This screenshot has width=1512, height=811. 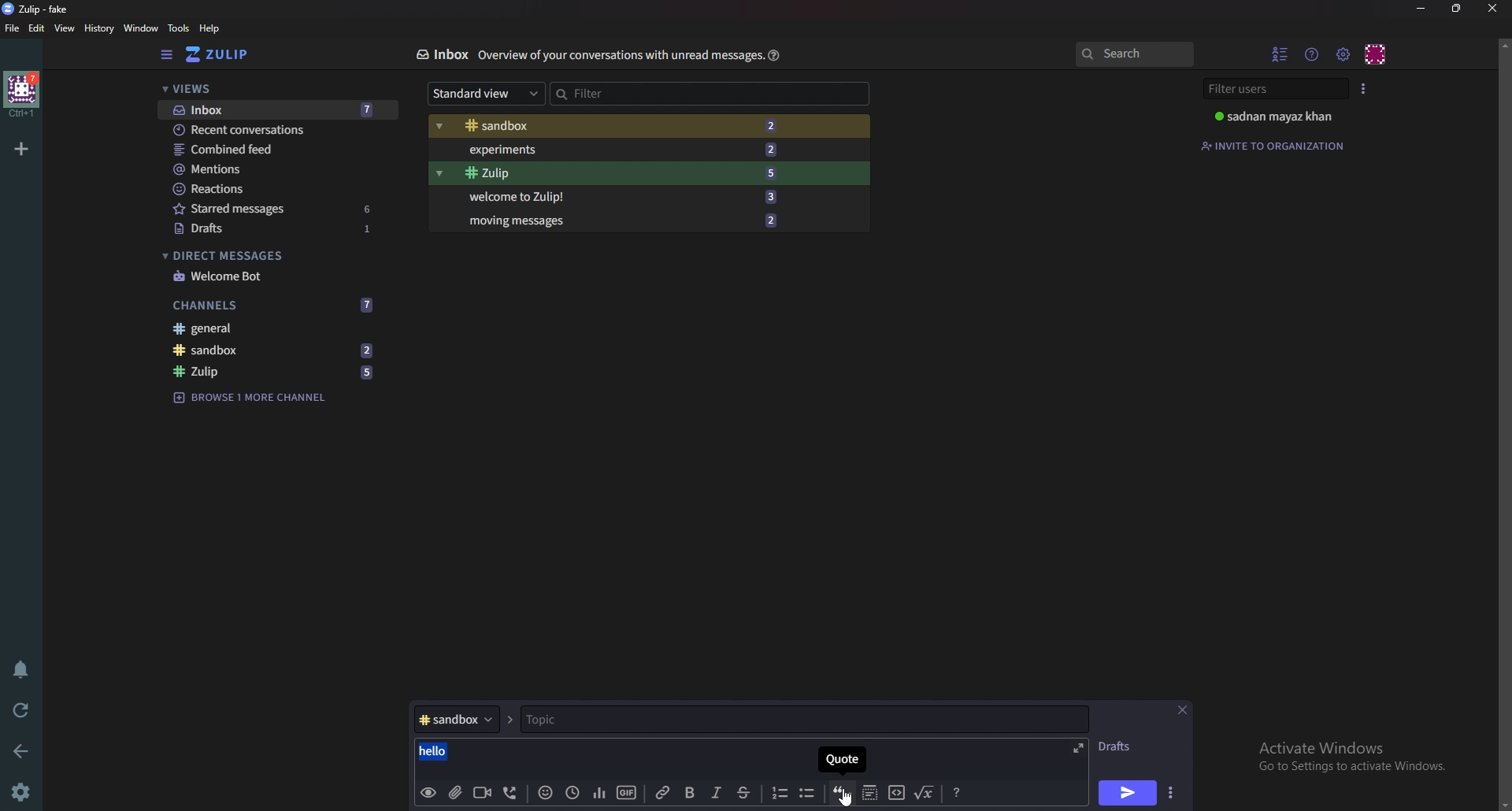 What do you see at coordinates (600, 794) in the screenshot?
I see `poll` at bounding box center [600, 794].